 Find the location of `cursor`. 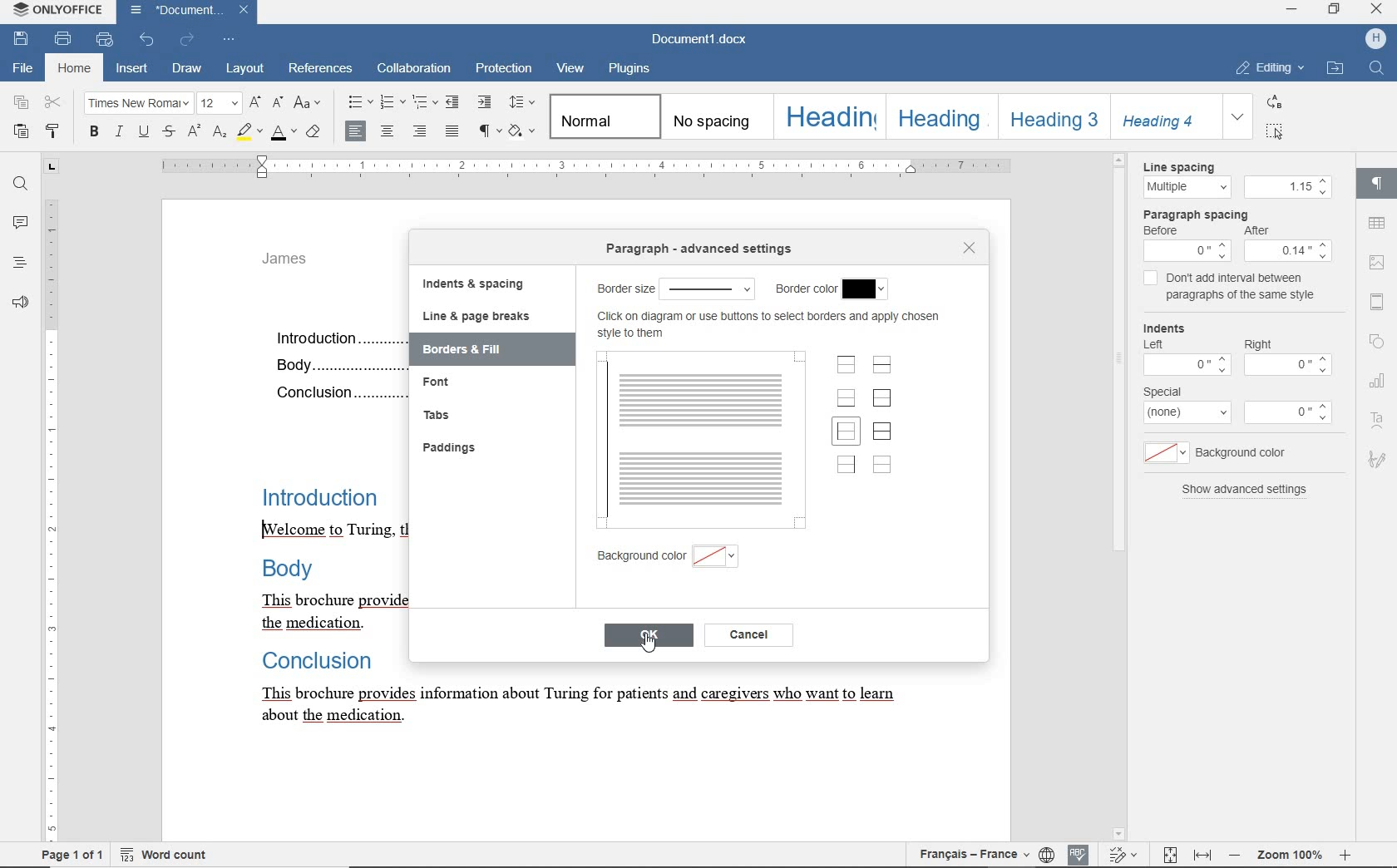

cursor is located at coordinates (649, 644).